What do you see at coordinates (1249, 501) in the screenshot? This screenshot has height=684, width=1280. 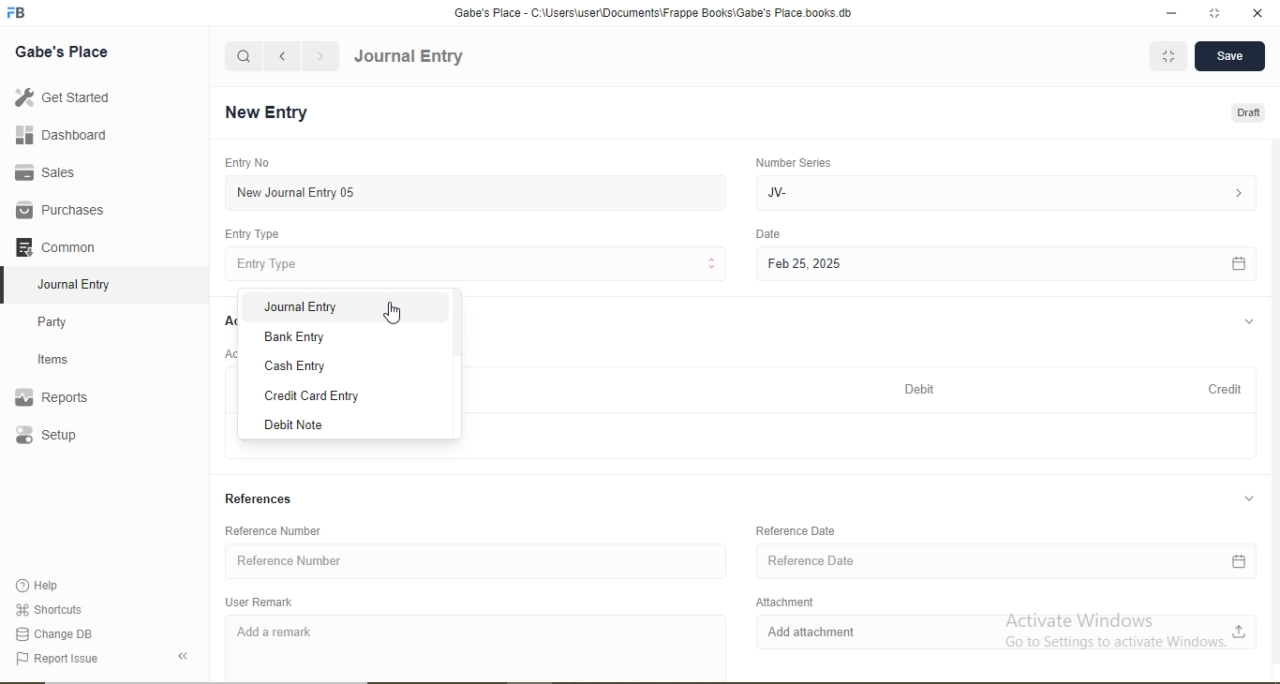 I see `collapse/expand` at bounding box center [1249, 501].